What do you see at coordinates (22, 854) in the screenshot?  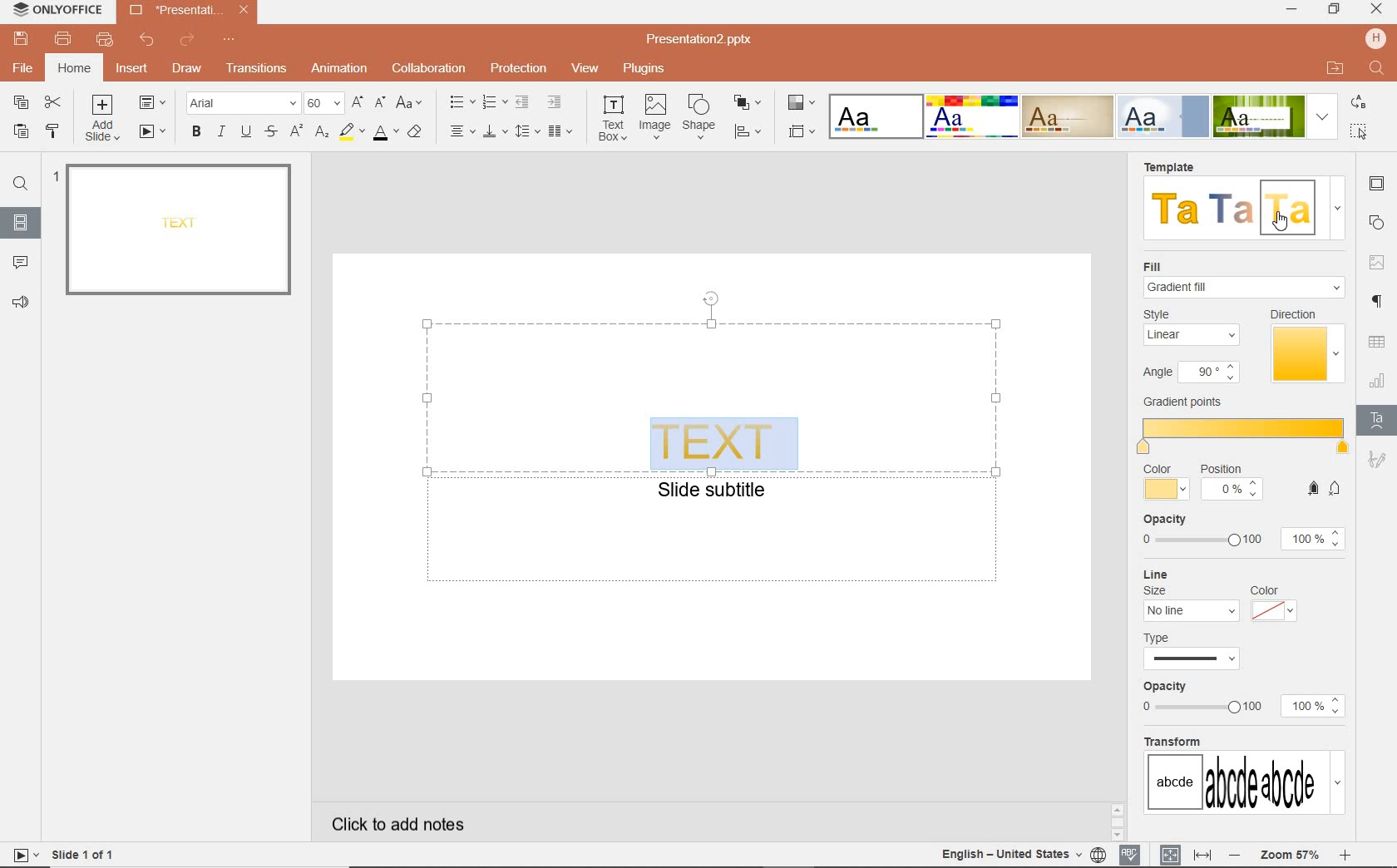 I see `star slide show` at bounding box center [22, 854].